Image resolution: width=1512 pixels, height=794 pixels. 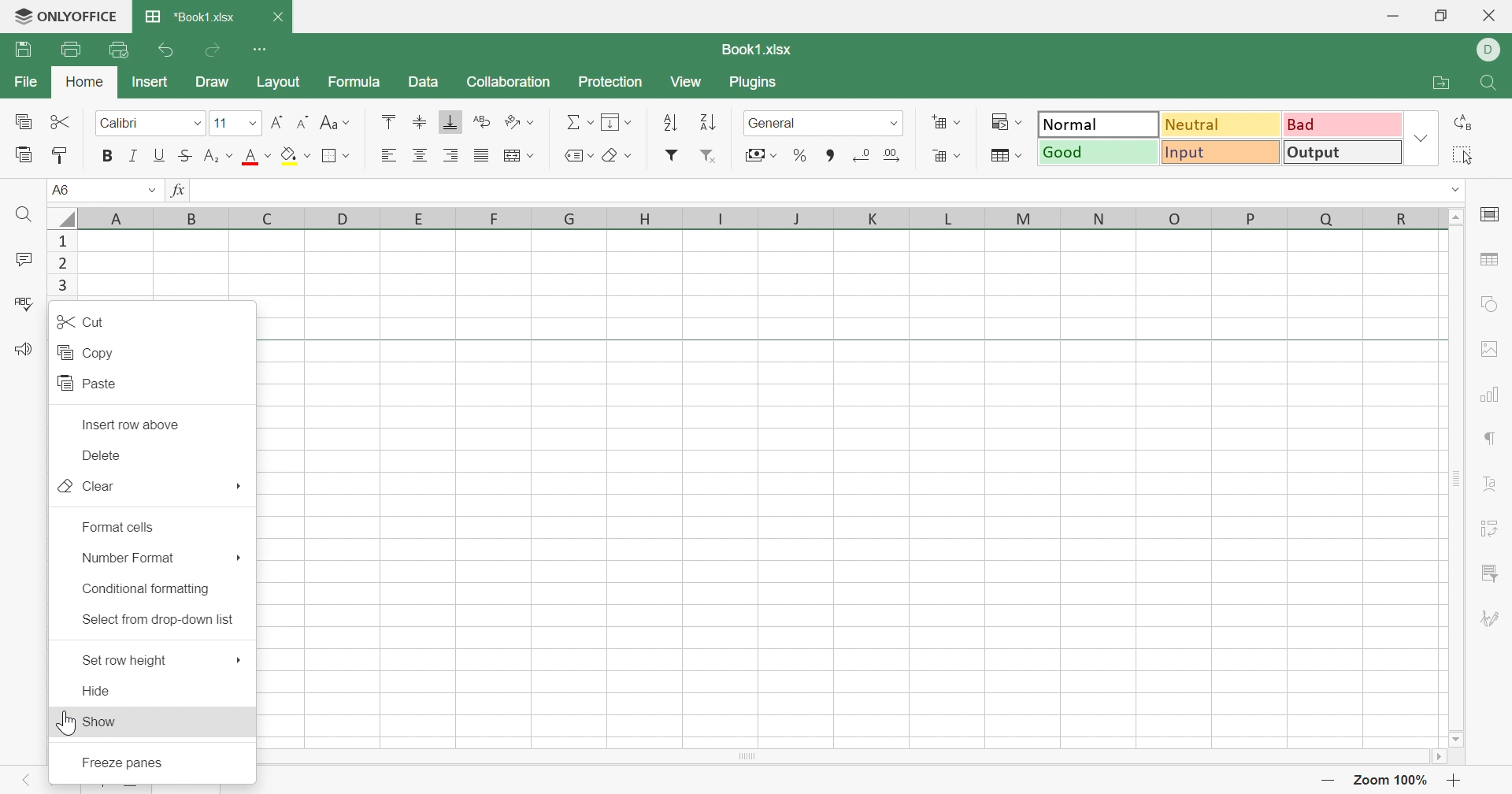 What do you see at coordinates (1004, 154) in the screenshot?
I see `Format as table template` at bounding box center [1004, 154].